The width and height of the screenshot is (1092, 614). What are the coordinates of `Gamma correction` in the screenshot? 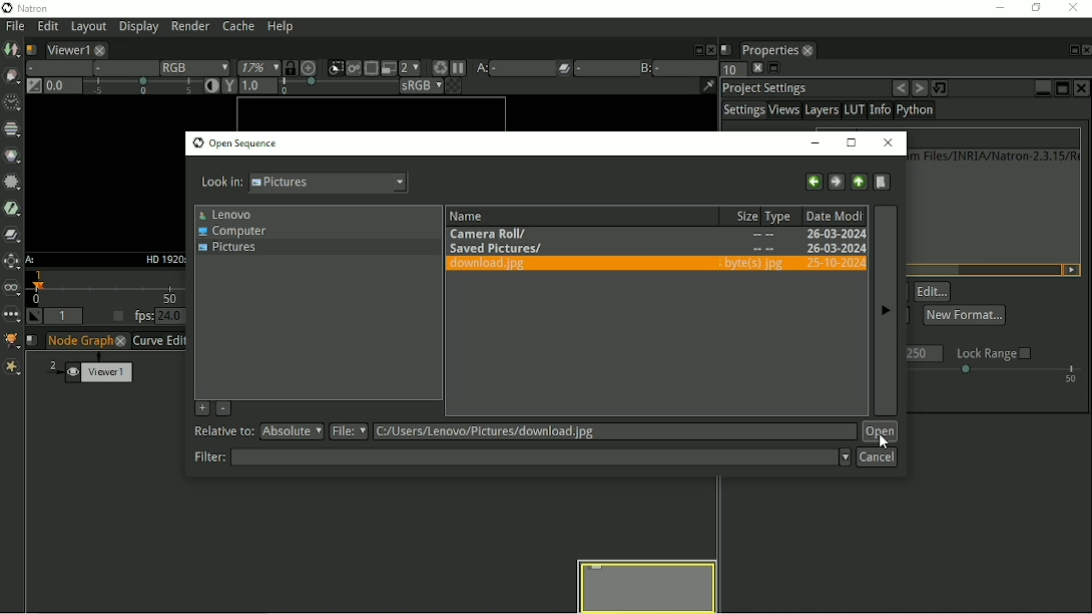 It's located at (303, 87).